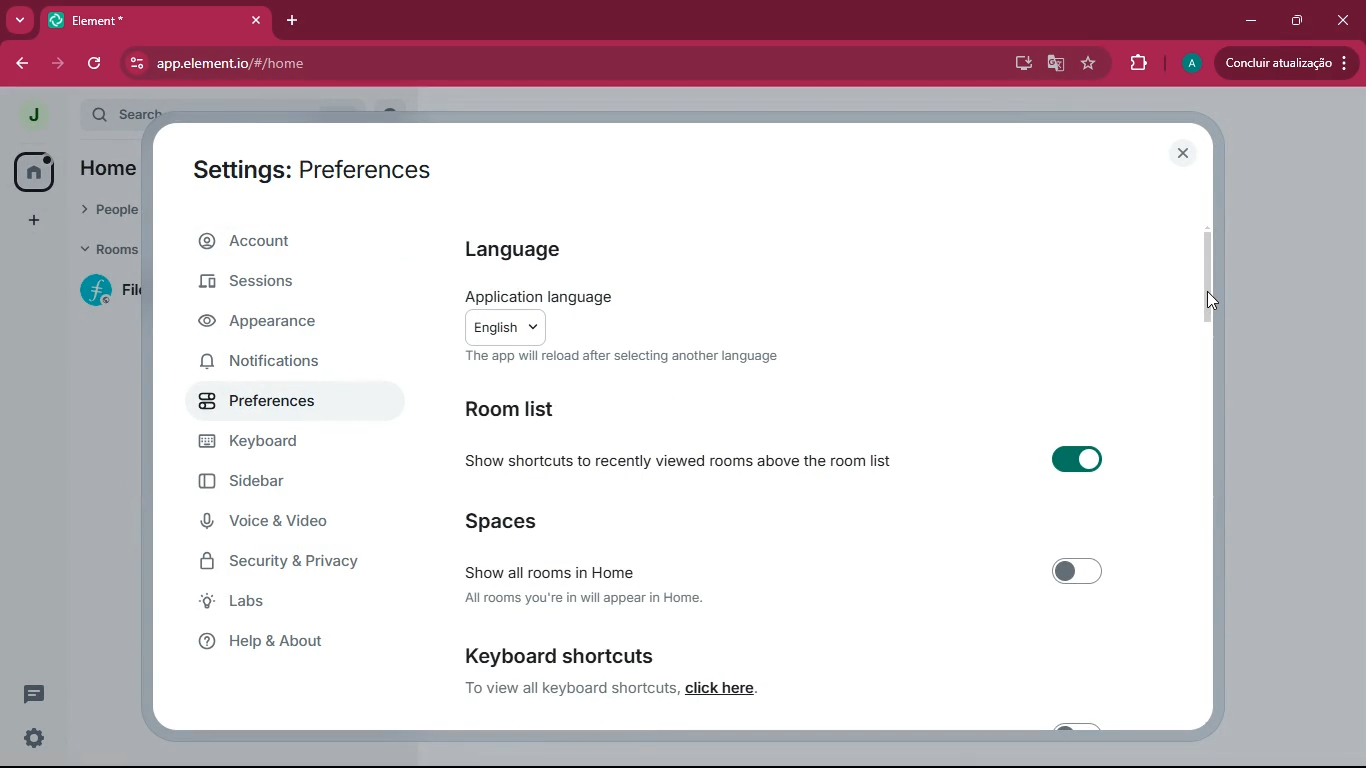 The width and height of the screenshot is (1366, 768). Describe the element at coordinates (1346, 24) in the screenshot. I see `close` at that location.